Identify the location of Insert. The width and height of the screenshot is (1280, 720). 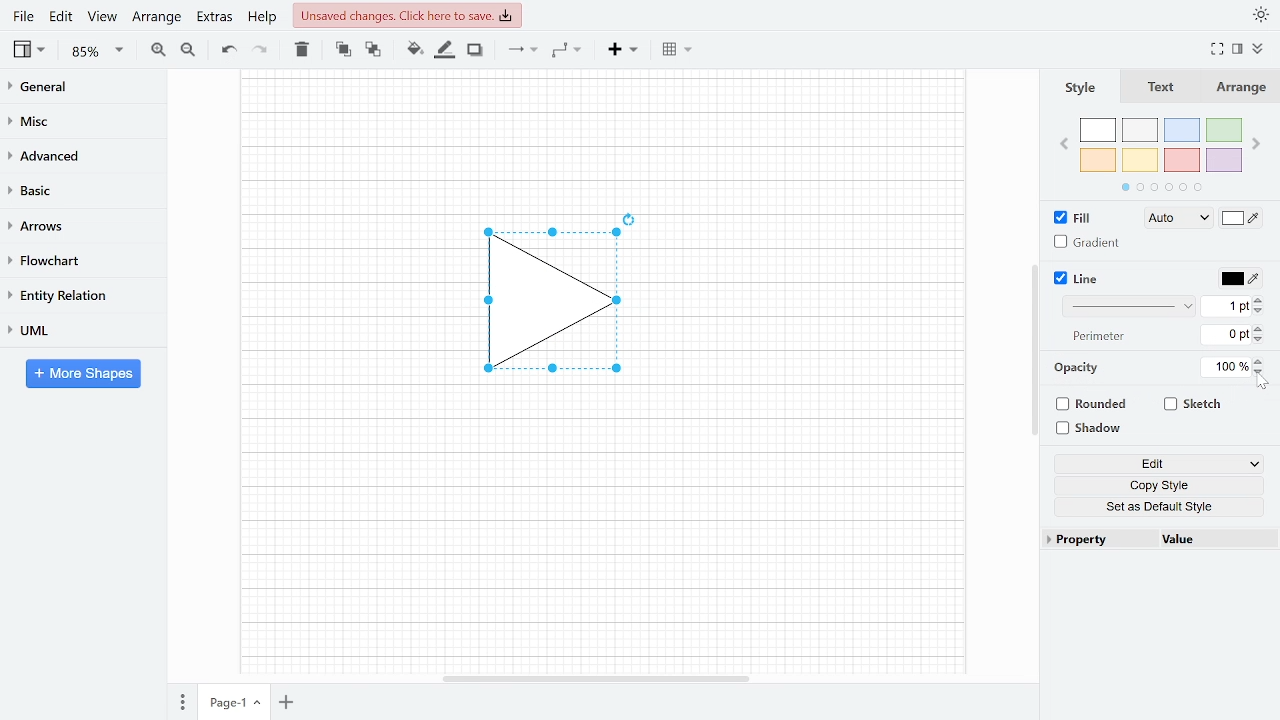
(623, 48).